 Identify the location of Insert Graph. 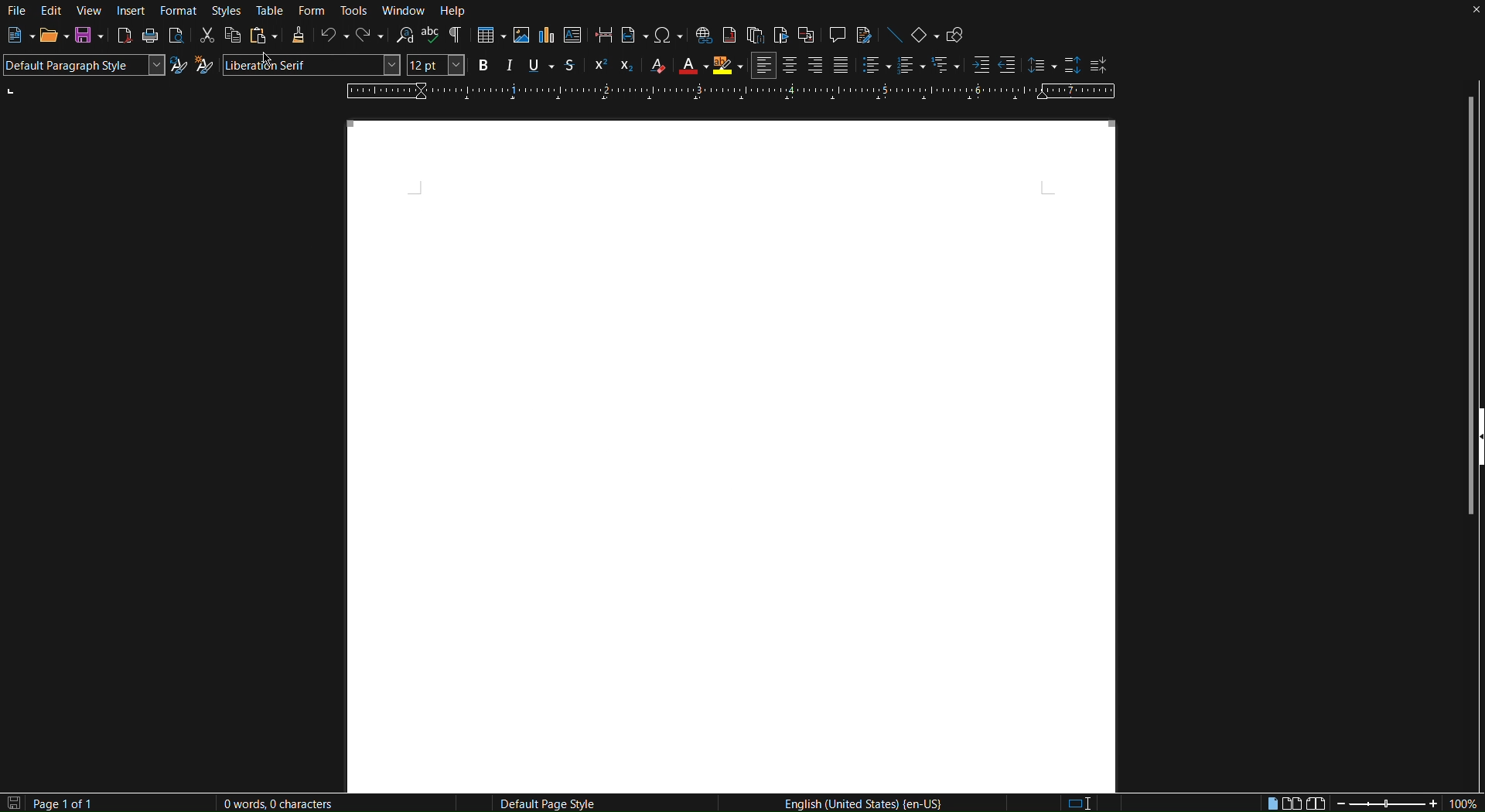
(547, 35).